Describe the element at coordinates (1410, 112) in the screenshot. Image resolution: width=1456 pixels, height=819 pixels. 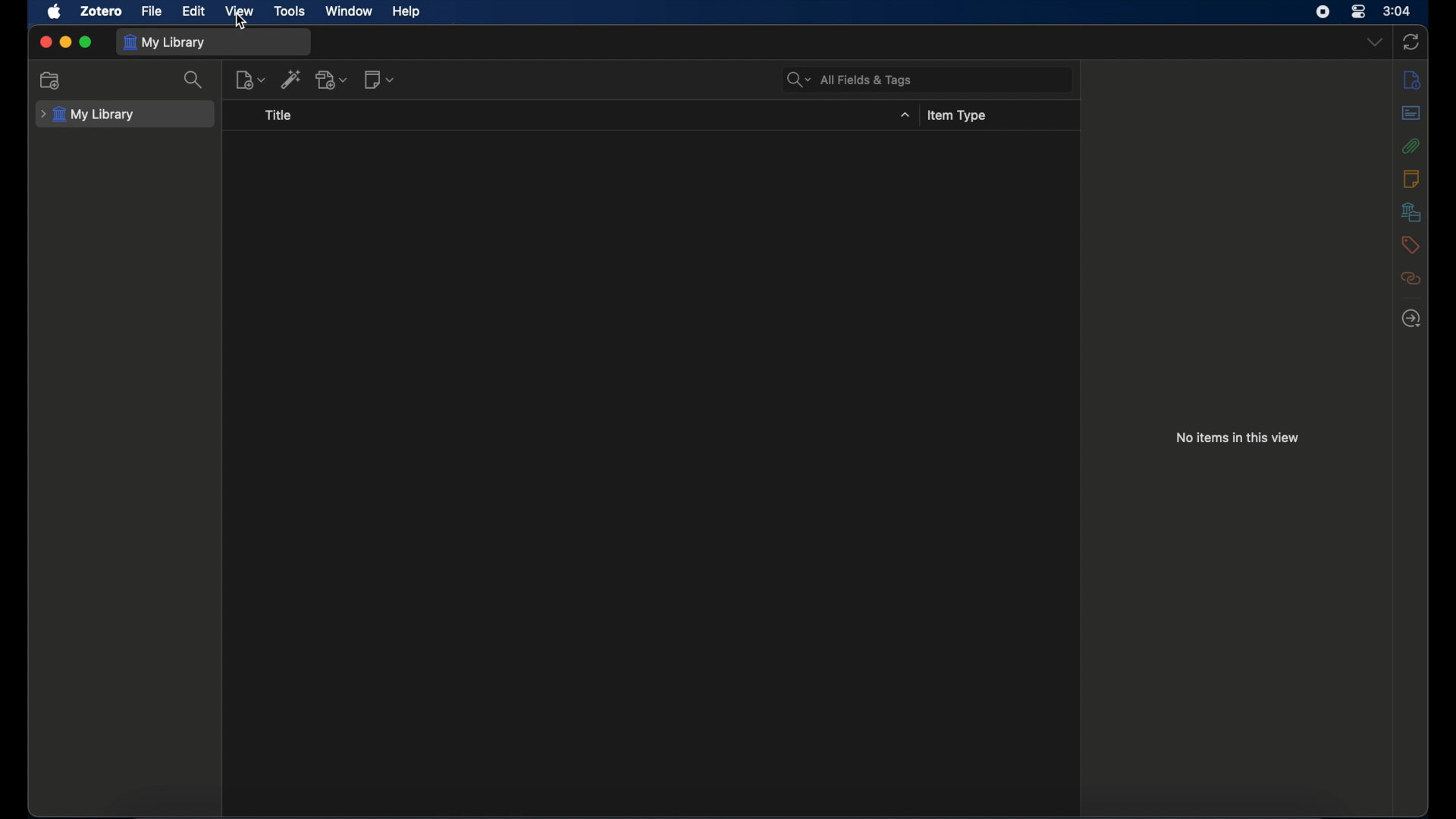
I see `abstract` at that location.